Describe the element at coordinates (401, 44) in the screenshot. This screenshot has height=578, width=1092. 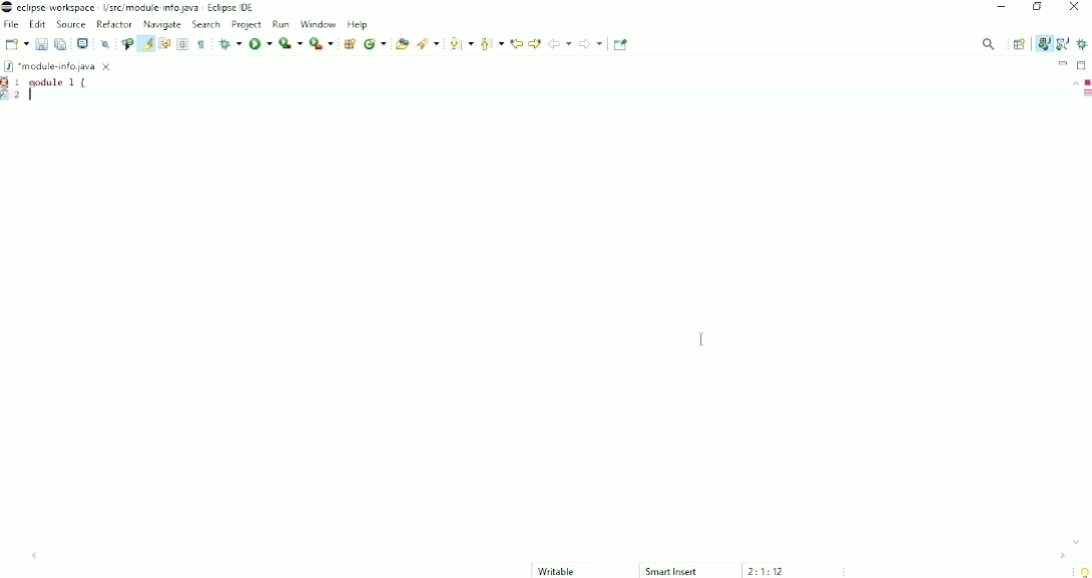
I see `Open Type` at that location.